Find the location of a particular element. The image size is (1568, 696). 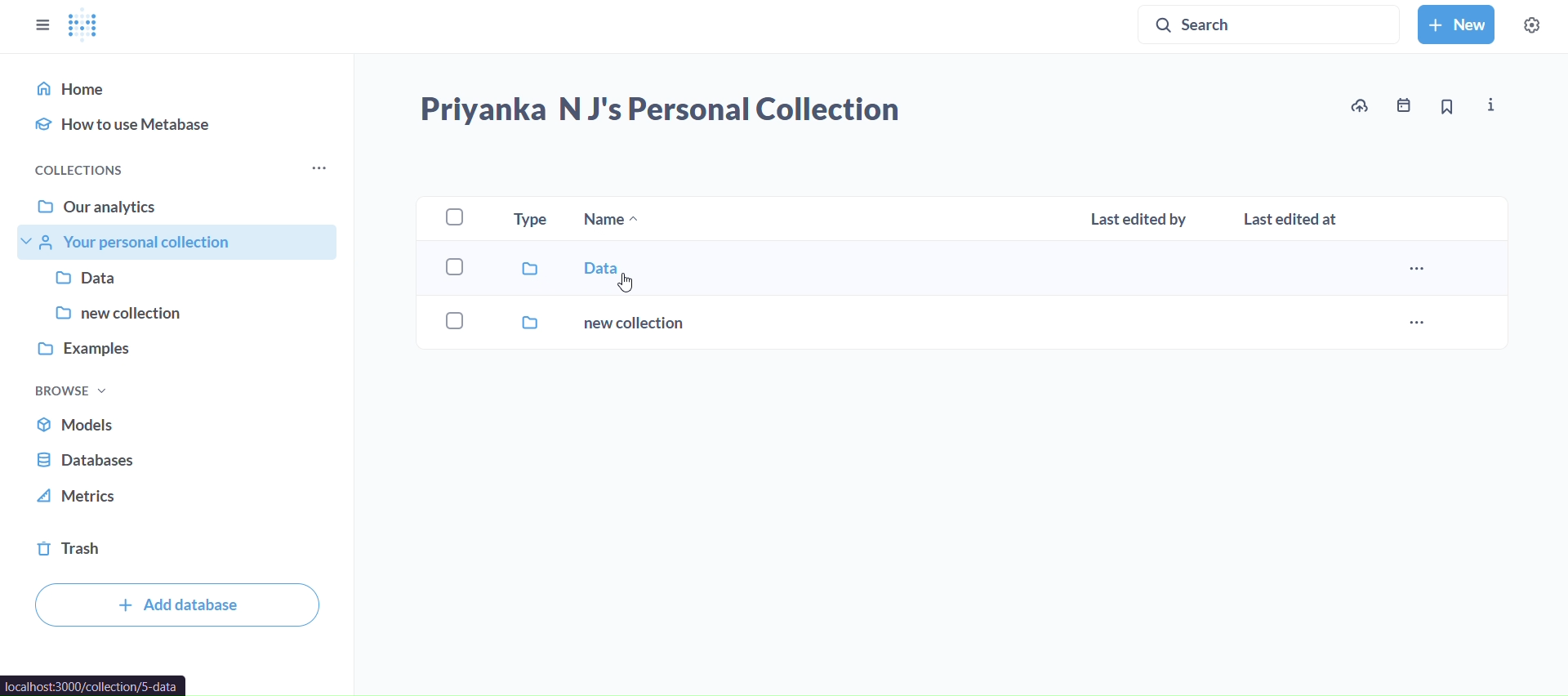

models is located at coordinates (167, 422).